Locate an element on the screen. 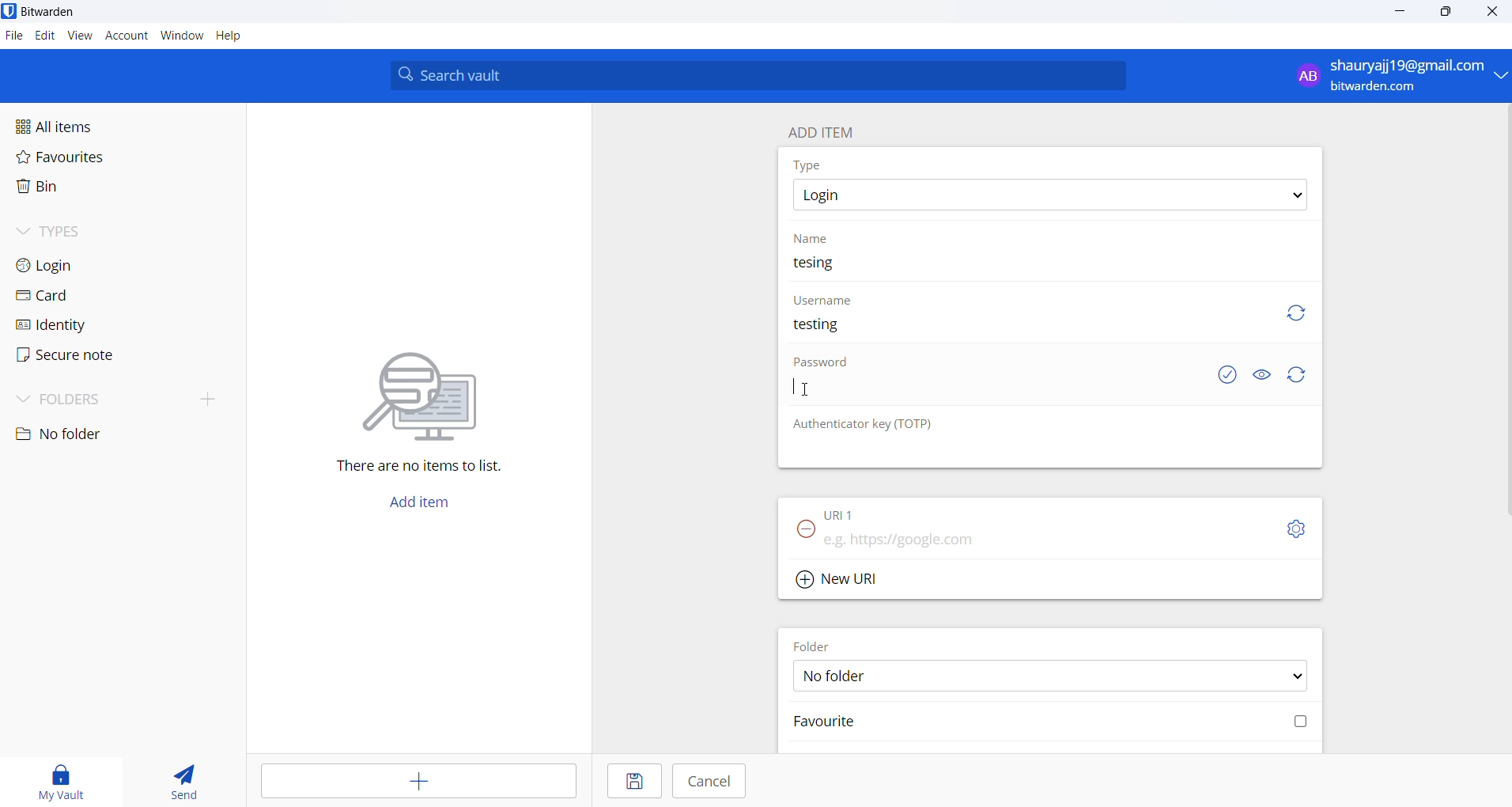 The height and width of the screenshot is (807, 1512). check if password is exposed  is located at coordinates (1227, 375).